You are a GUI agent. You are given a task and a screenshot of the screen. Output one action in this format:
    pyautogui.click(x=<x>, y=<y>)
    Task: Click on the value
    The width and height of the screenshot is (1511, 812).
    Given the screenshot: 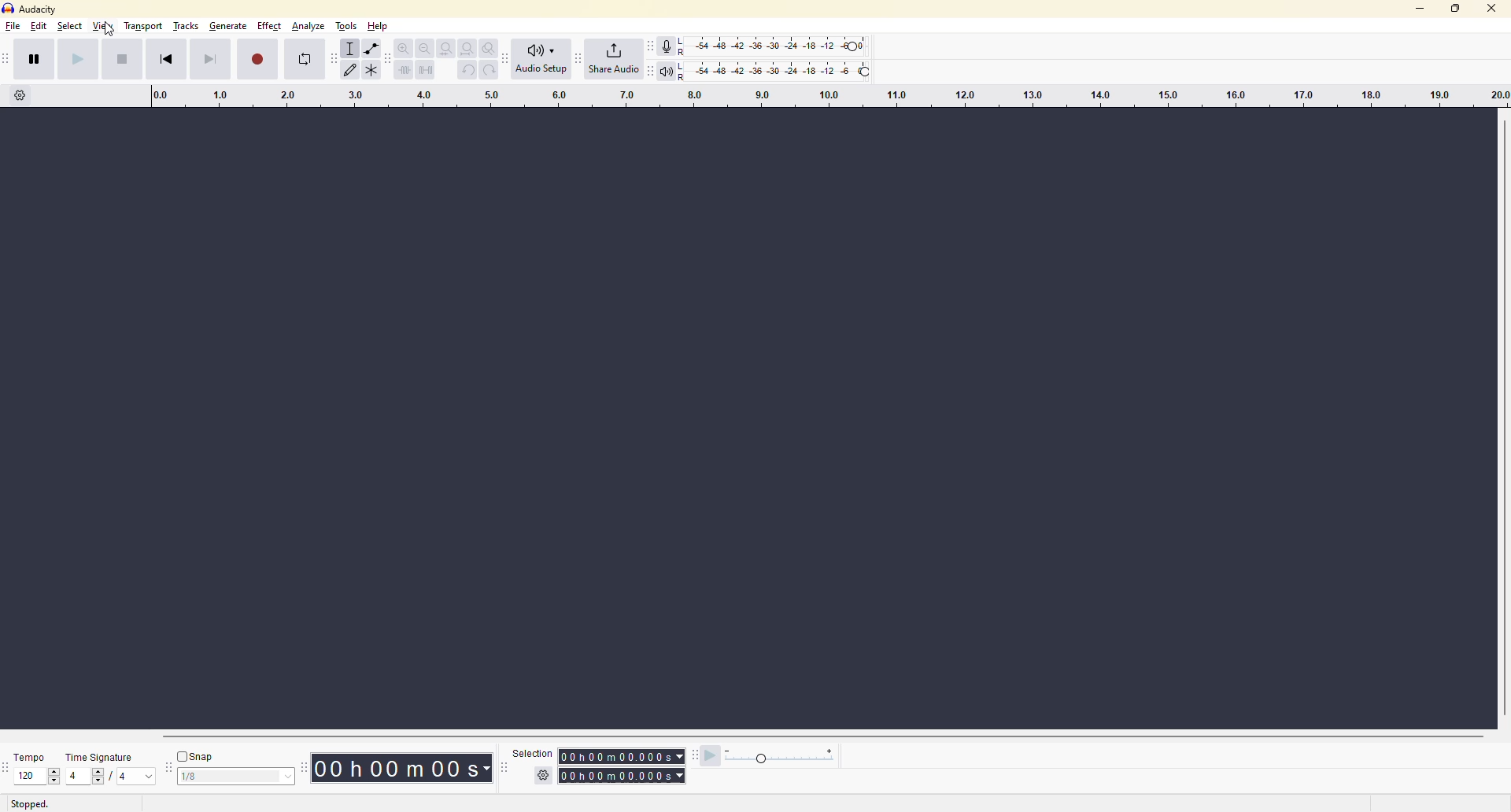 What is the action you would take?
    pyautogui.click(x=135, y=777)
    